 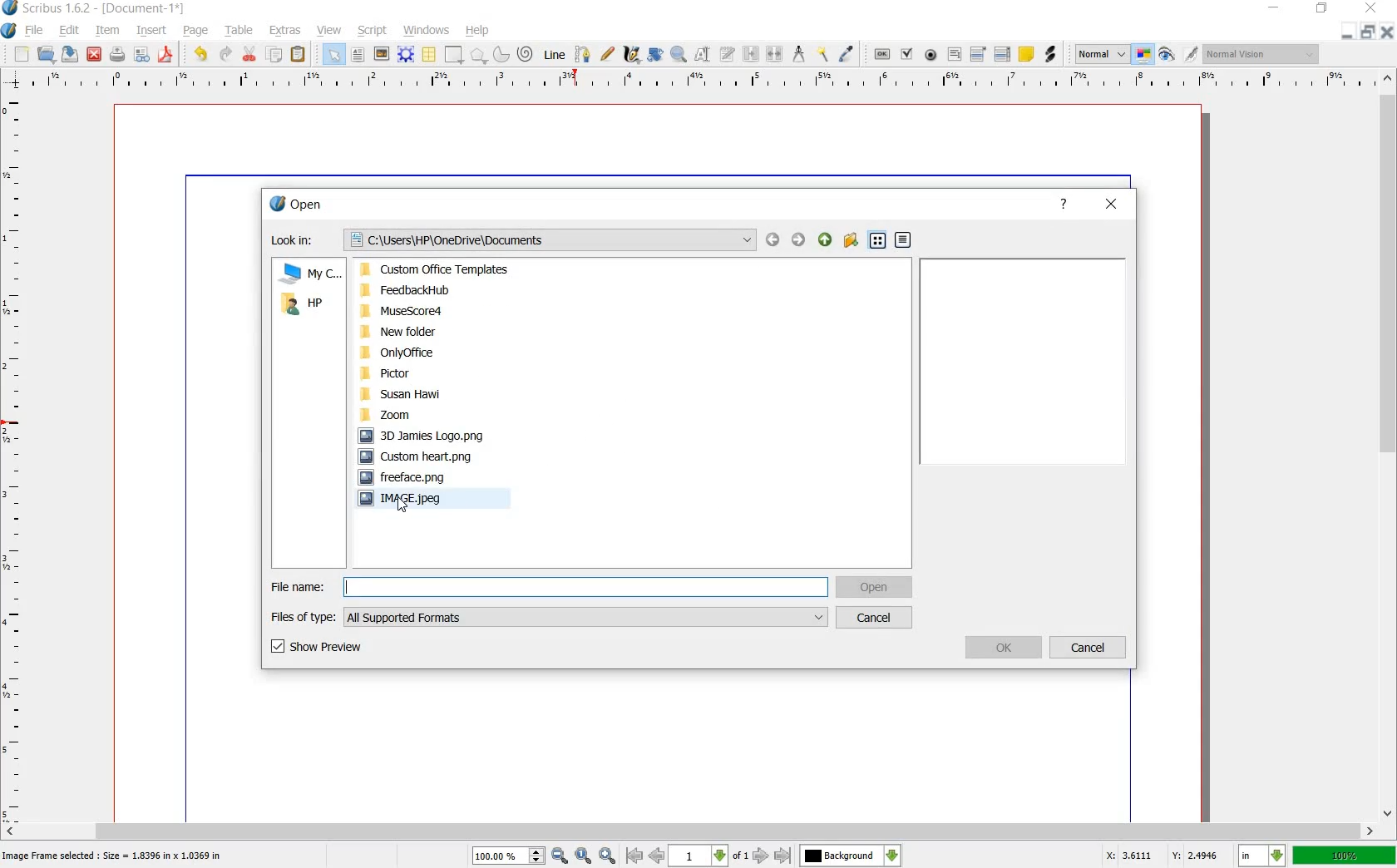 I want to click on Image frame selected: Size=1.8396 in * 1.8369 in, so click(x=115, y=855).